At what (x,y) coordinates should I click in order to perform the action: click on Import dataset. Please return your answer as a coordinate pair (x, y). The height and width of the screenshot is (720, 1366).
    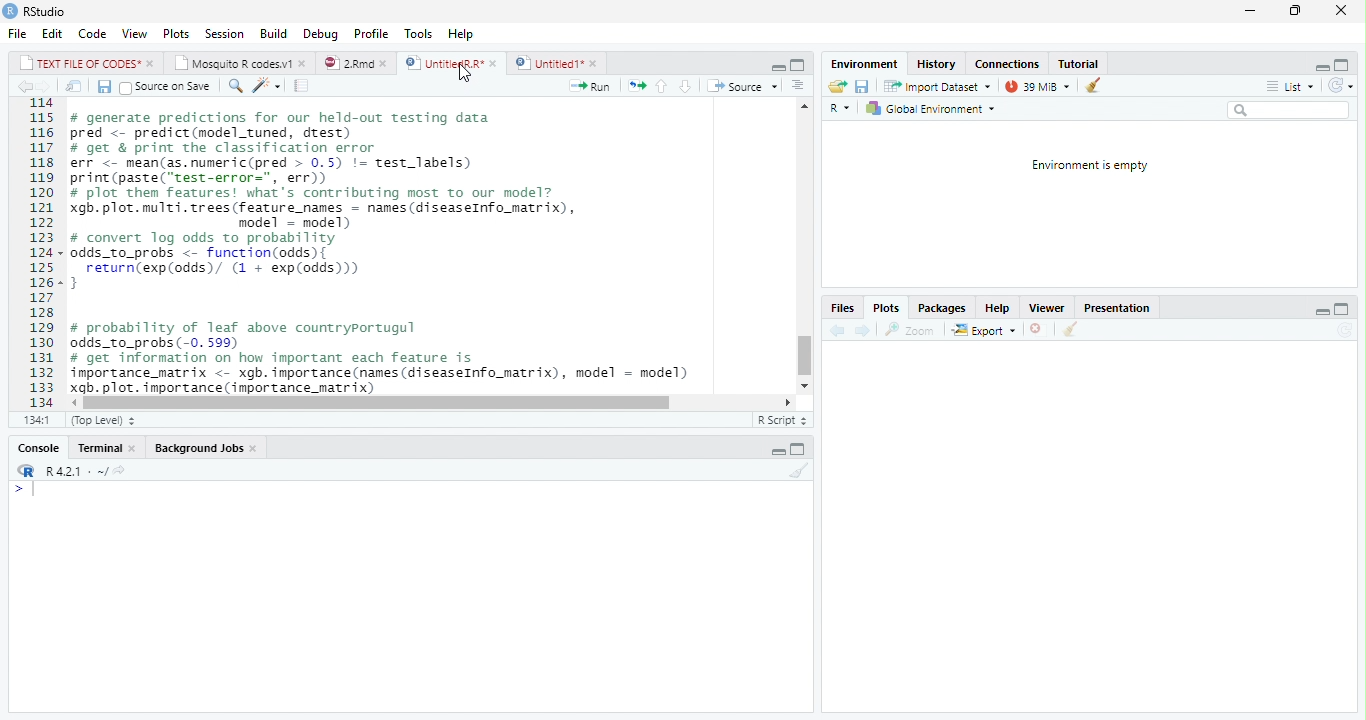
    Looking at the image, I should click on (936, 85).